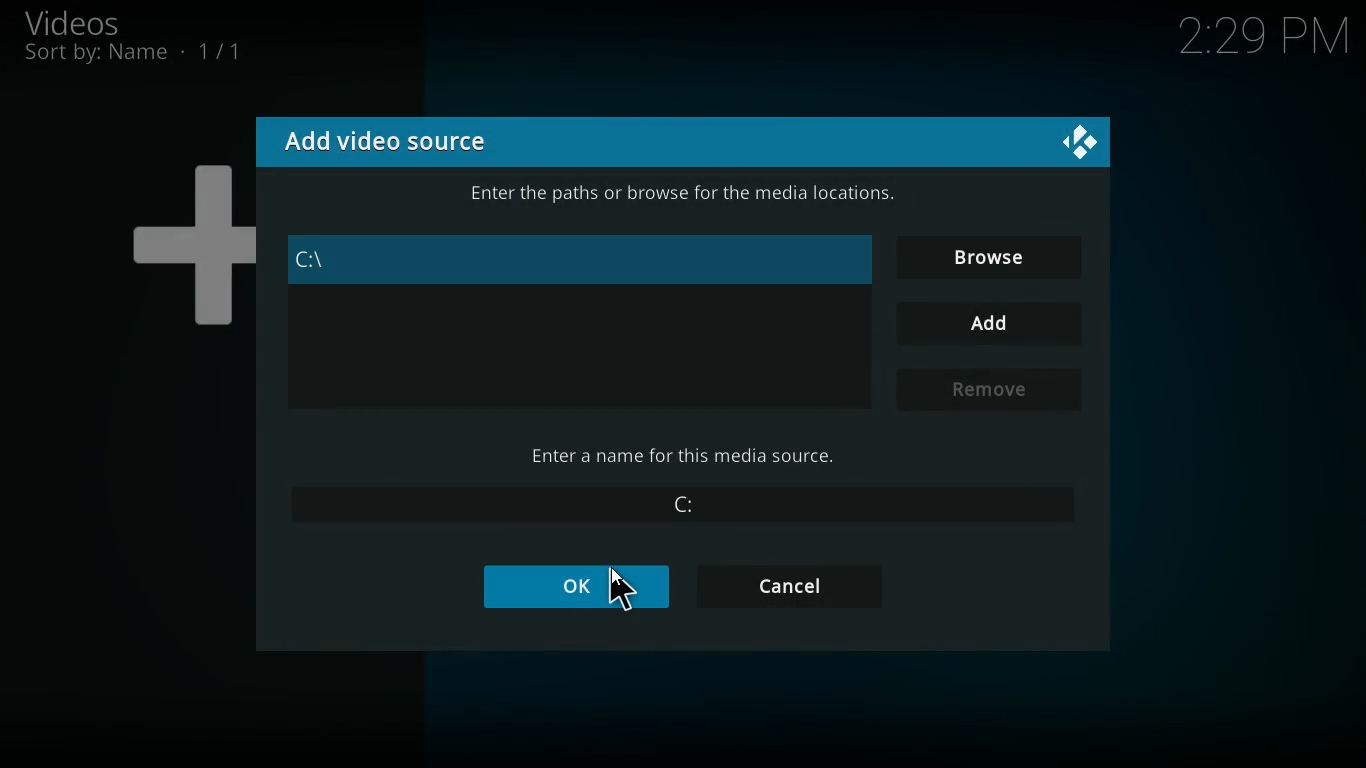  I want to click on sort by name 1/1, so click(133, 53).